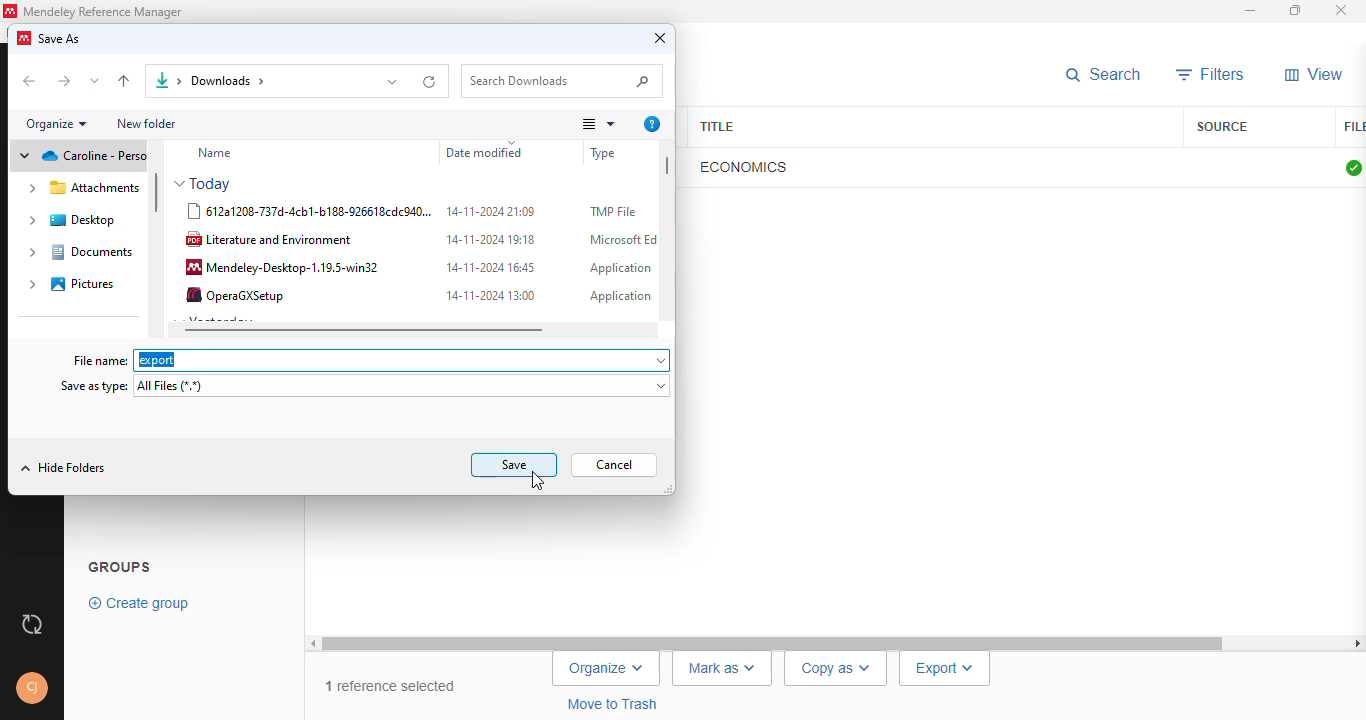 The image size is (1366, 720). What do you see at coordinates (32, 625) in the screenshot?
I see `sync` at bounding box center [32, 625].